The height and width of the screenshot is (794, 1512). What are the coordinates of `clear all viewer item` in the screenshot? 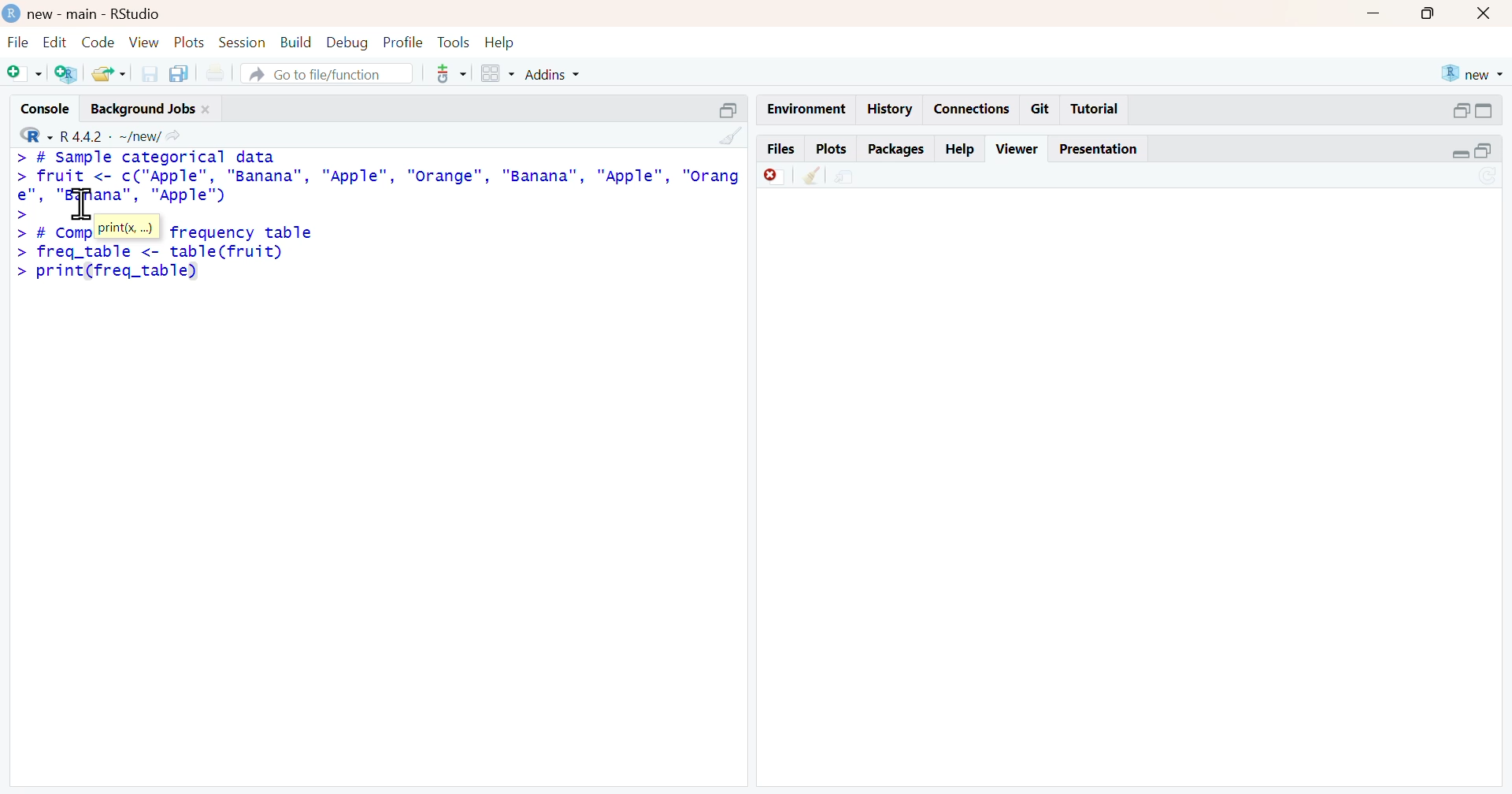 It's located at (813, 177).